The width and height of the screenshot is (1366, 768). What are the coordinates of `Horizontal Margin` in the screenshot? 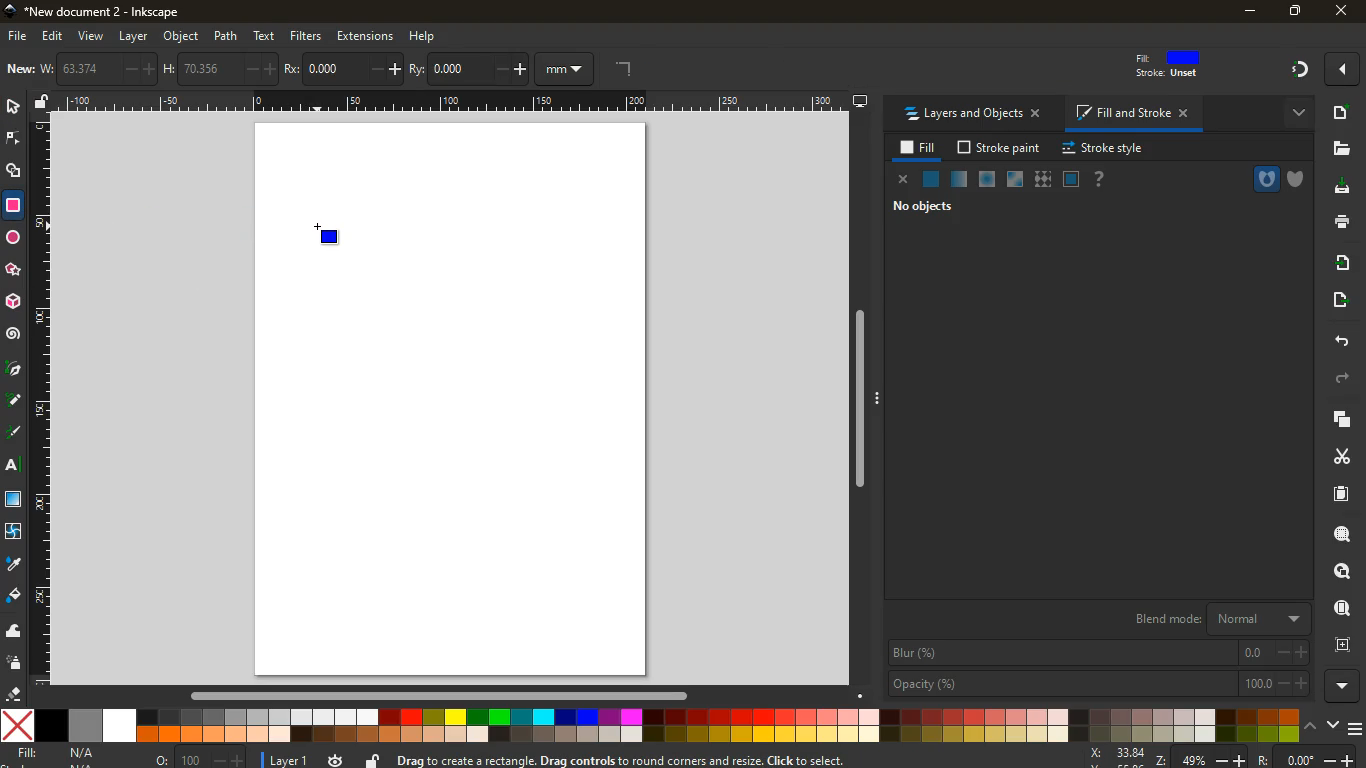 It's located at (39, 400).